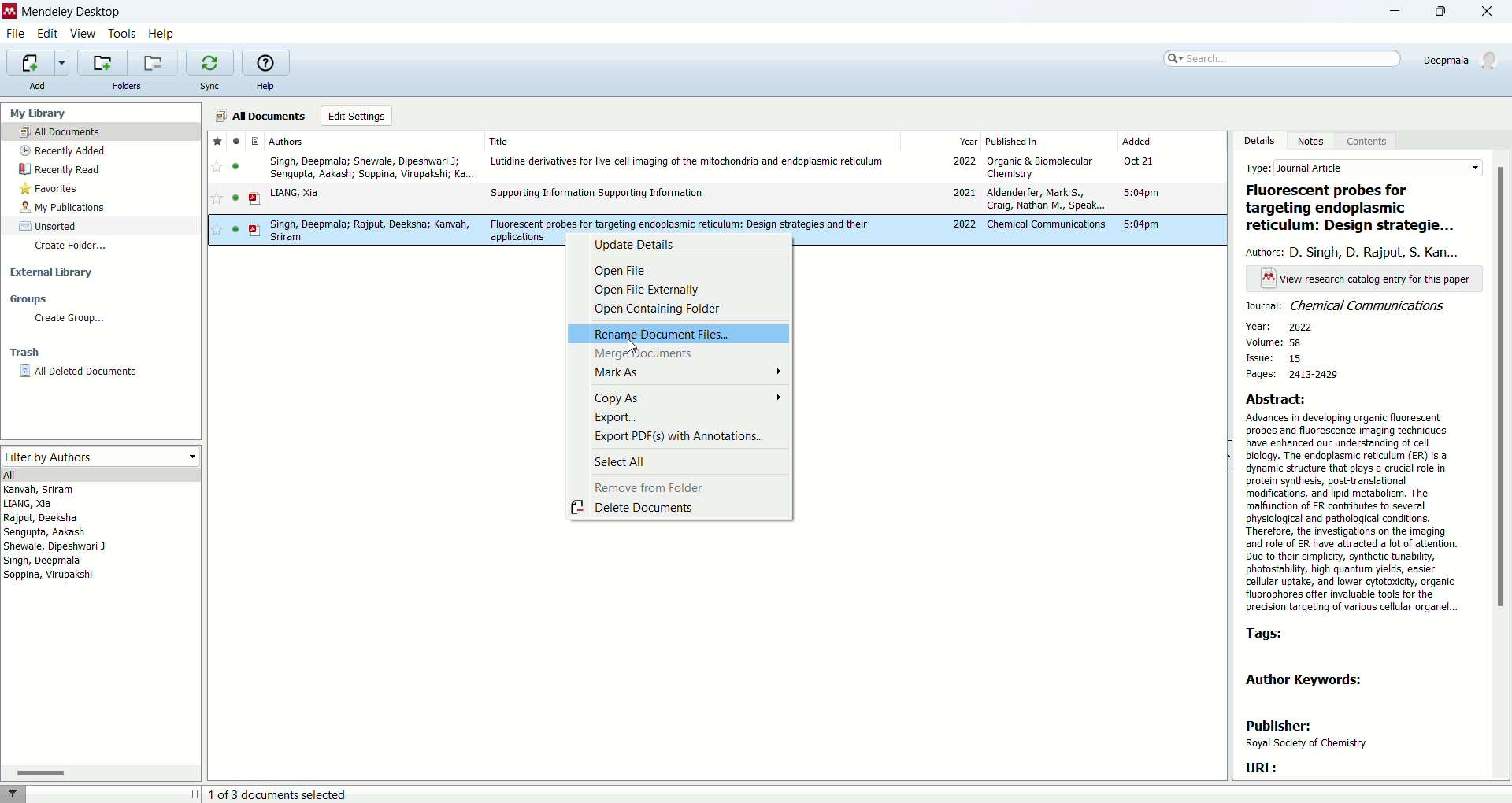 The height and width of the screenshot is (803, 1512). What do you see at coordinates (680, 509) in the screenshot?
I see `delete documents` at bounding box center [680, 509].